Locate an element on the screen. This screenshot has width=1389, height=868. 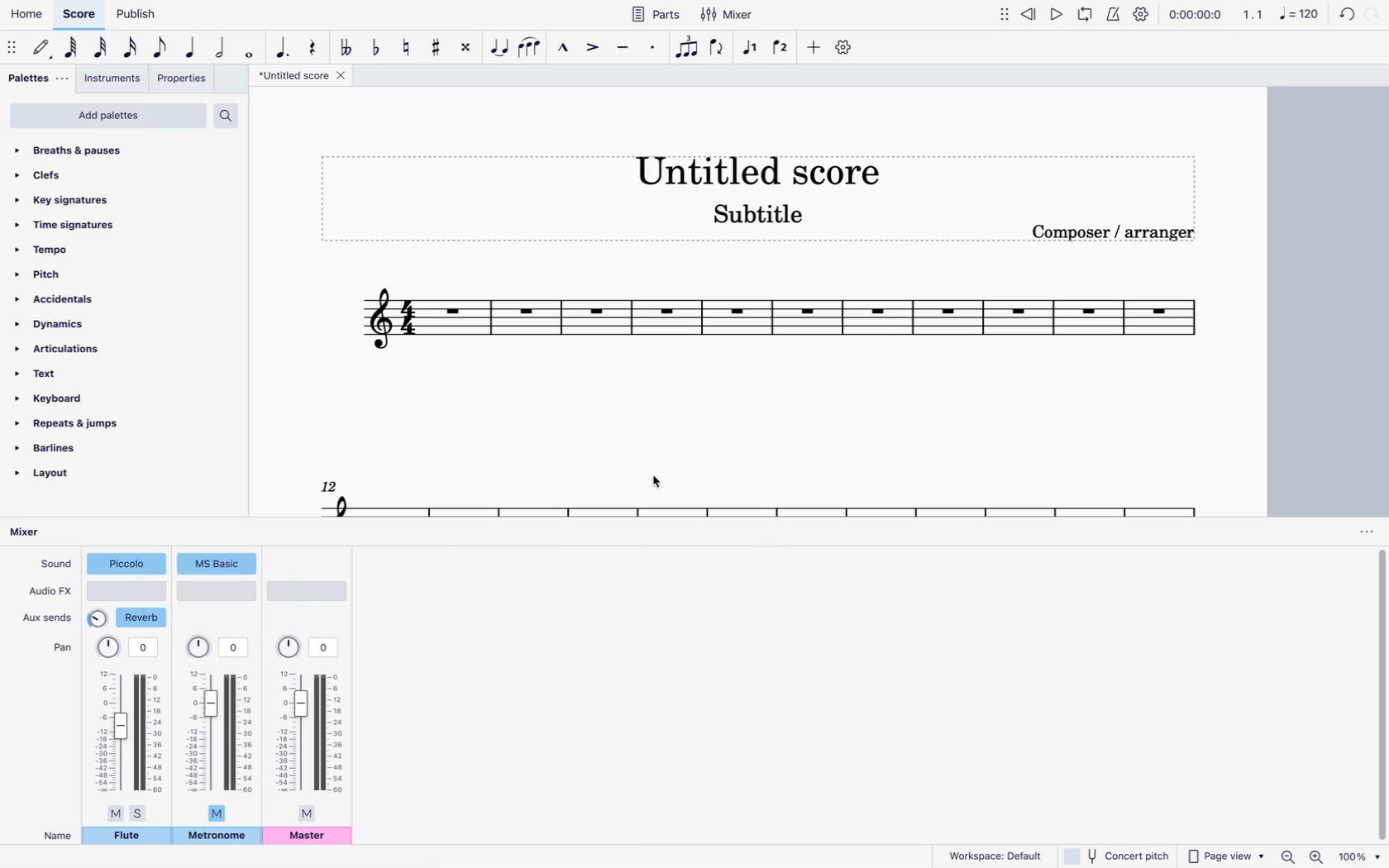
parts is located at coordinates (655, 13).